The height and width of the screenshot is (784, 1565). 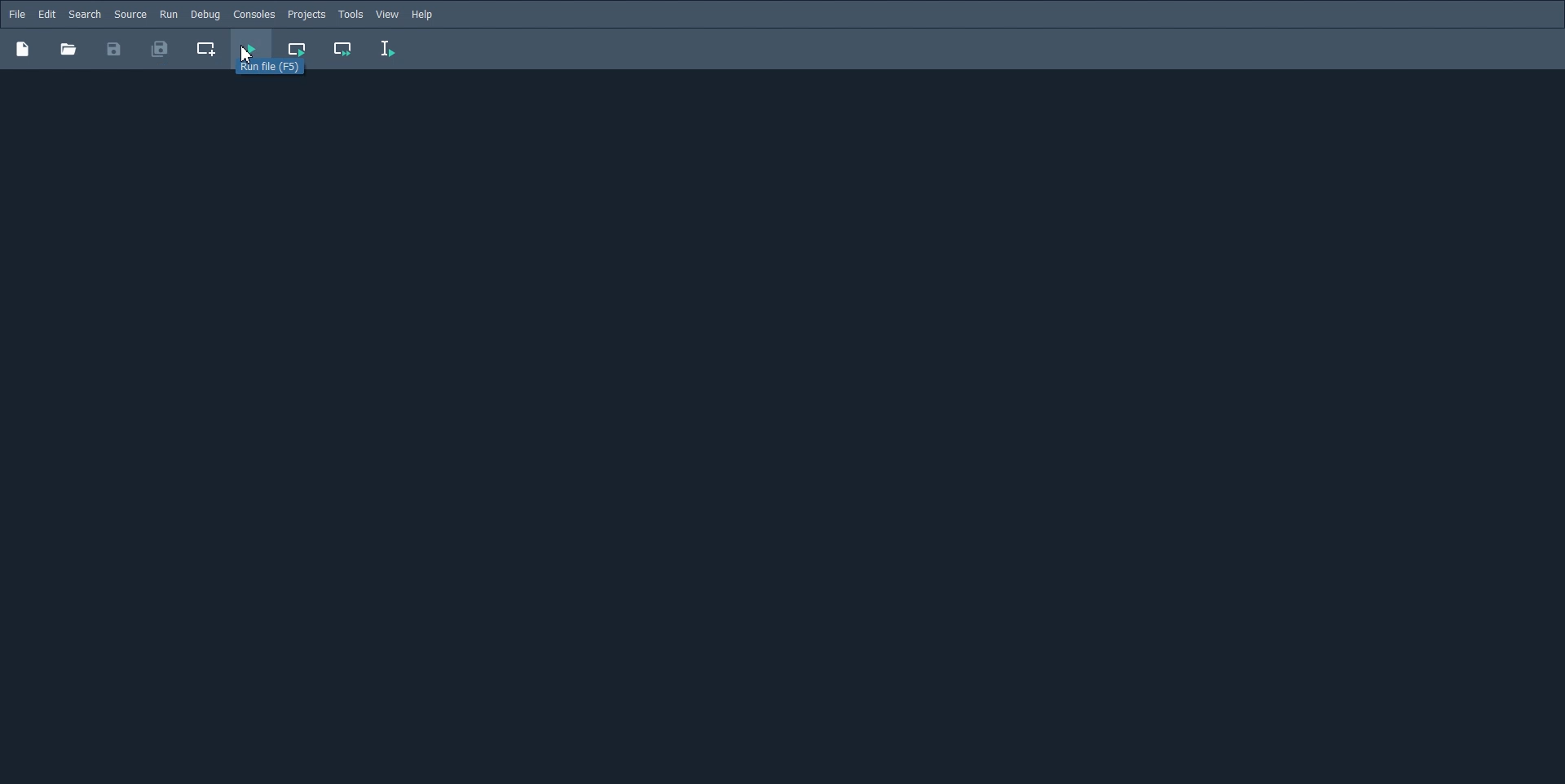 I want to click on New file, so click(x=22, y=48).